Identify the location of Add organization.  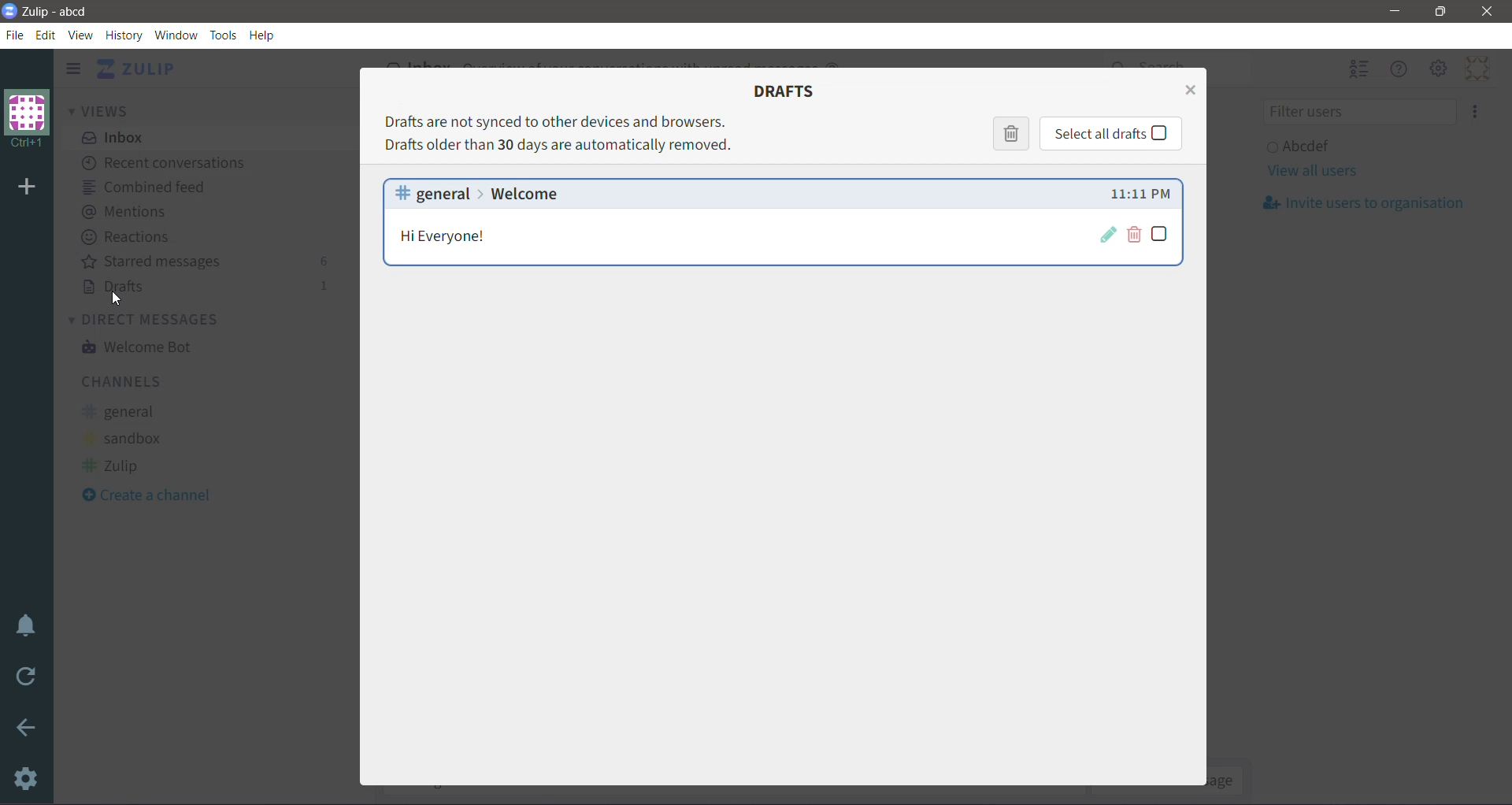
(25, 188).